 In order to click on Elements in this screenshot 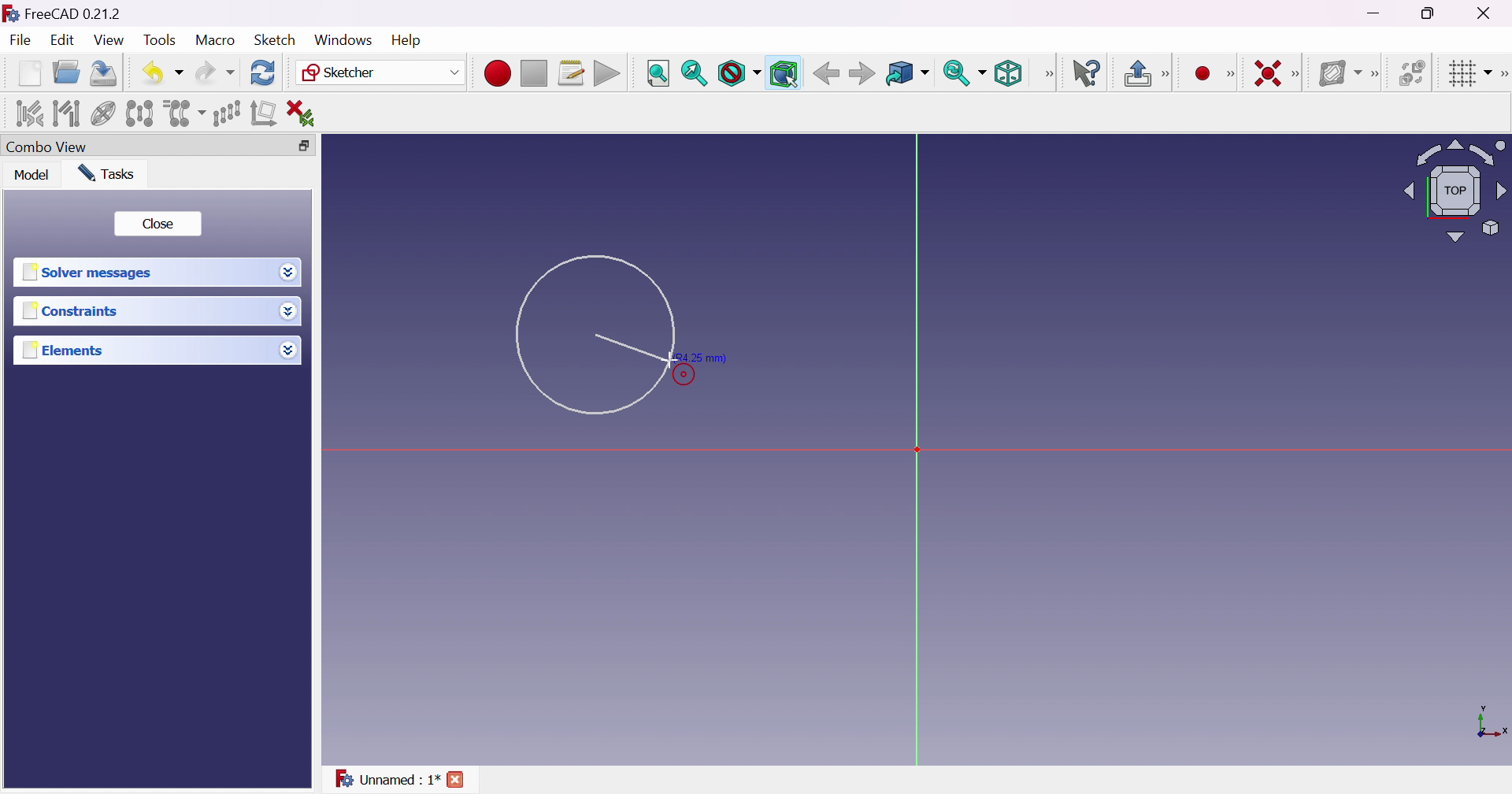, I will do `click(65, 350)`.